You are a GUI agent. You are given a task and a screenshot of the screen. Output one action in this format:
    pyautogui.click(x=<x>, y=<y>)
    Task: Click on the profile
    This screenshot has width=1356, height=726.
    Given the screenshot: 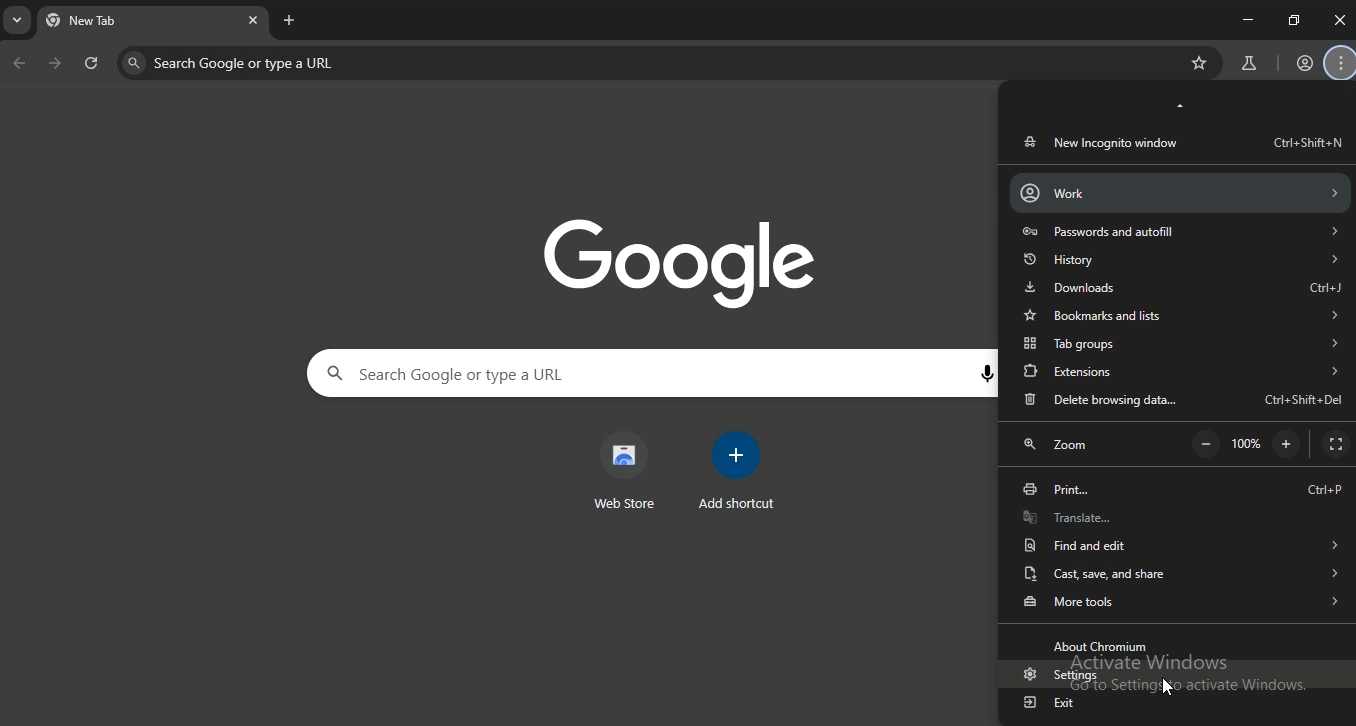 What is the action you would take?
    pyautogui.click(x=1305, y=64)
    